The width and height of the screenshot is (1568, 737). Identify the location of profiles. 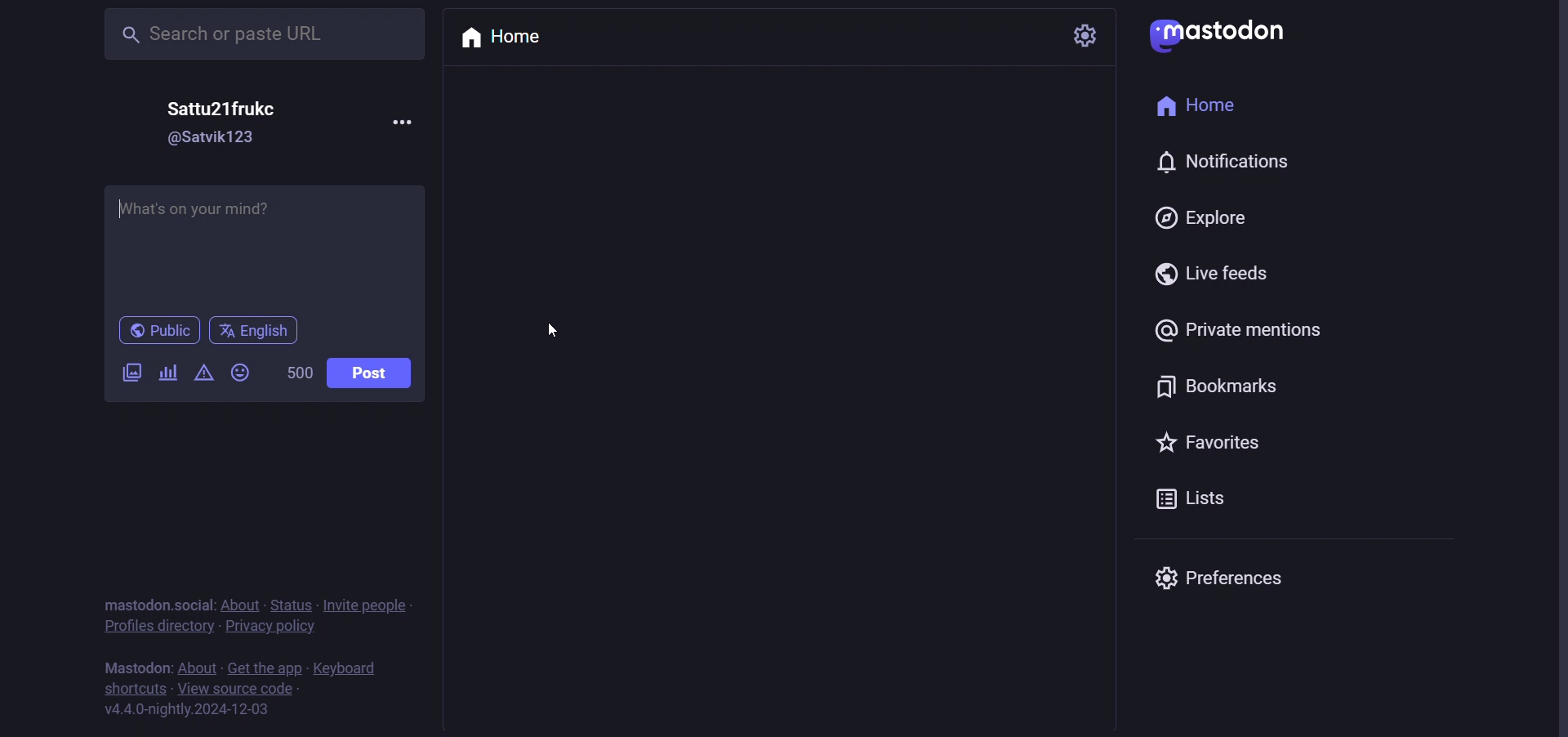
(154, 628).